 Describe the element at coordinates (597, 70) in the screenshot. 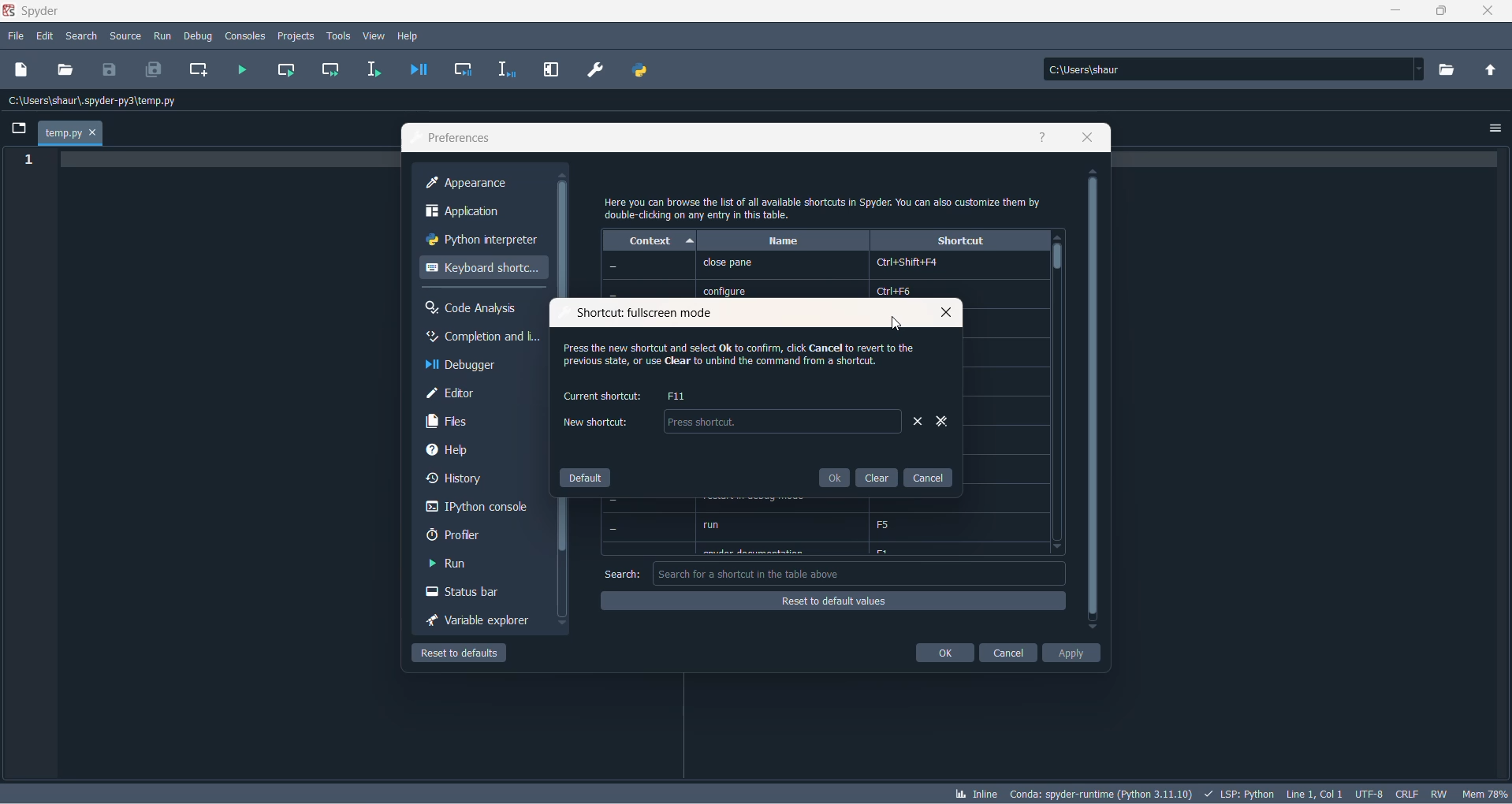

I see `PREFERENCES` at that location.